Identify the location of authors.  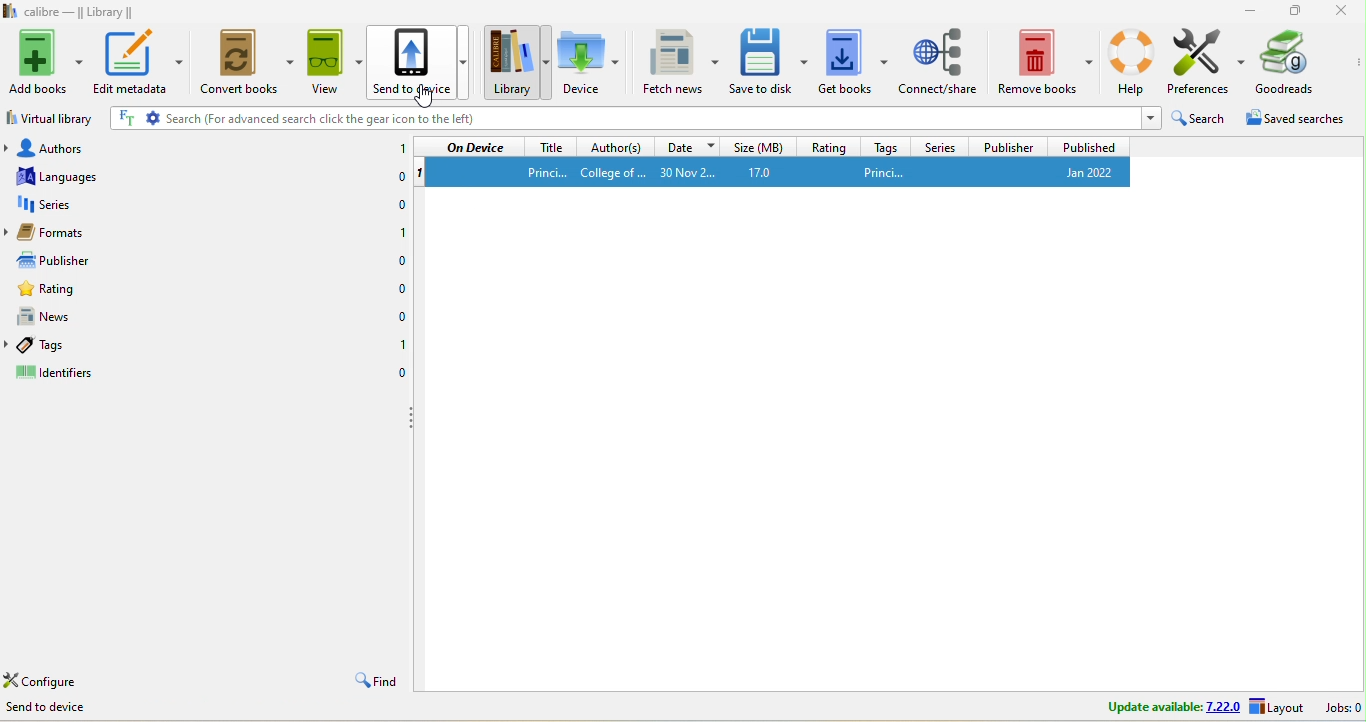
(616, 148).